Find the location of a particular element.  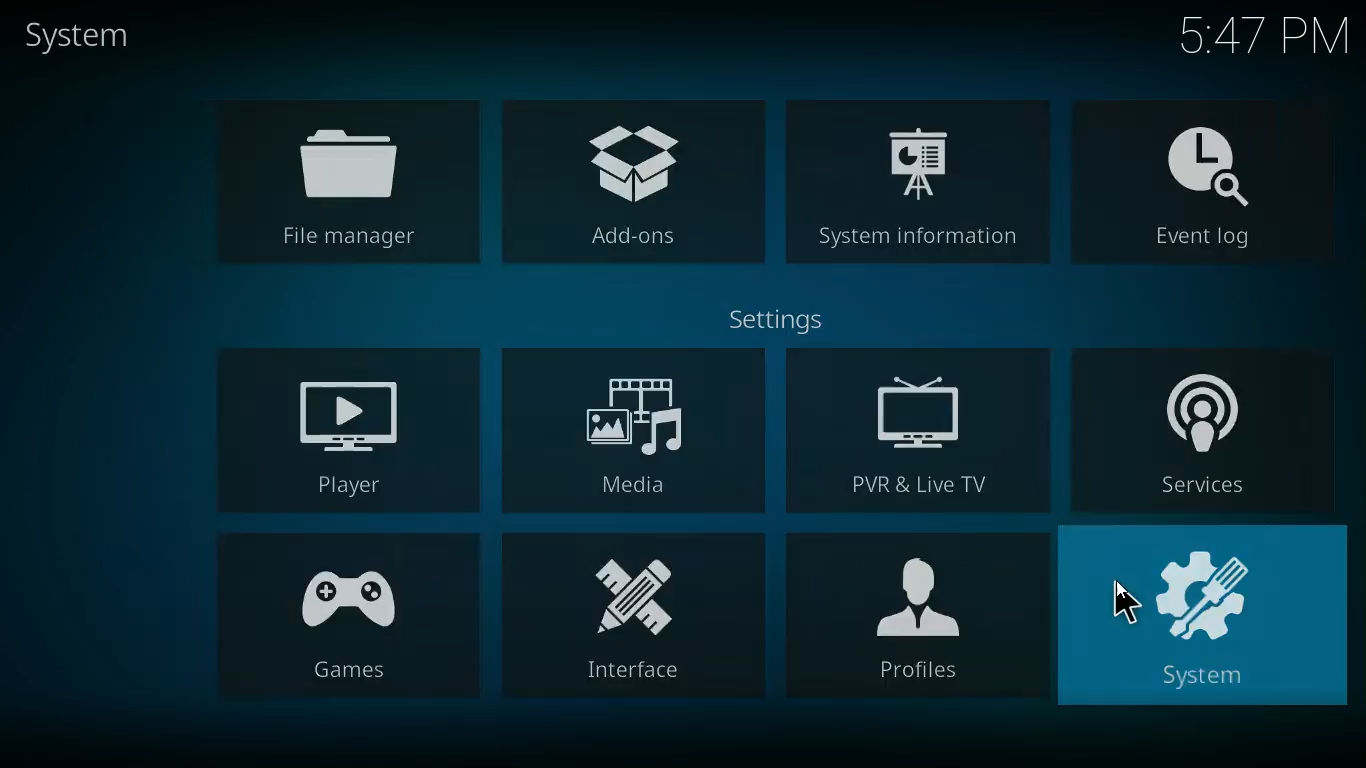

interface is located at coordinates (629, 622).